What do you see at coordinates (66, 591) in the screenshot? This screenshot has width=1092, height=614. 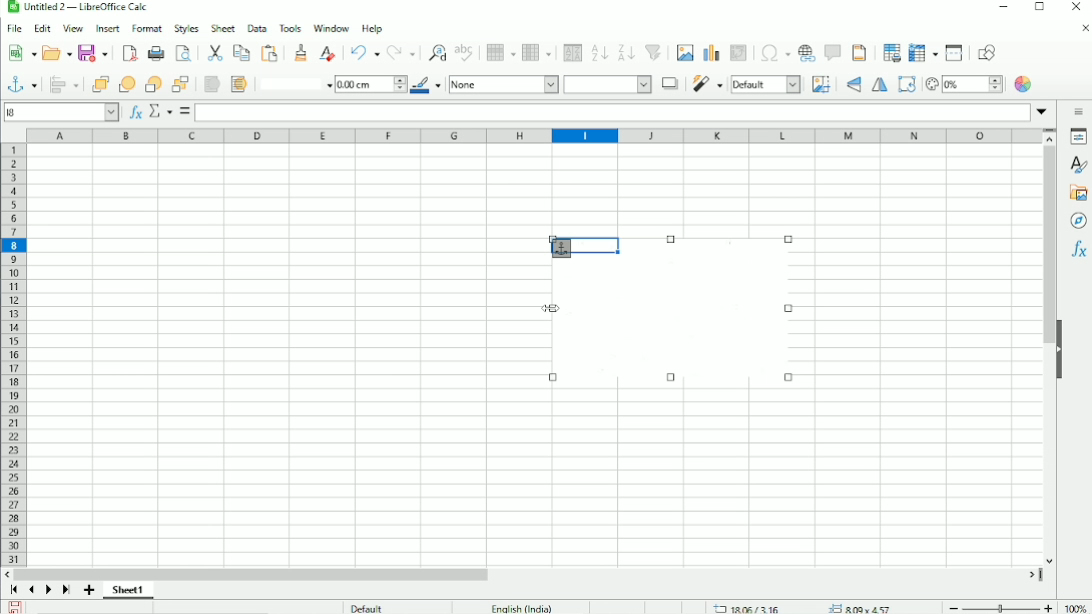 I see `Scroll to last sheet` at bounding box center [66, 591].